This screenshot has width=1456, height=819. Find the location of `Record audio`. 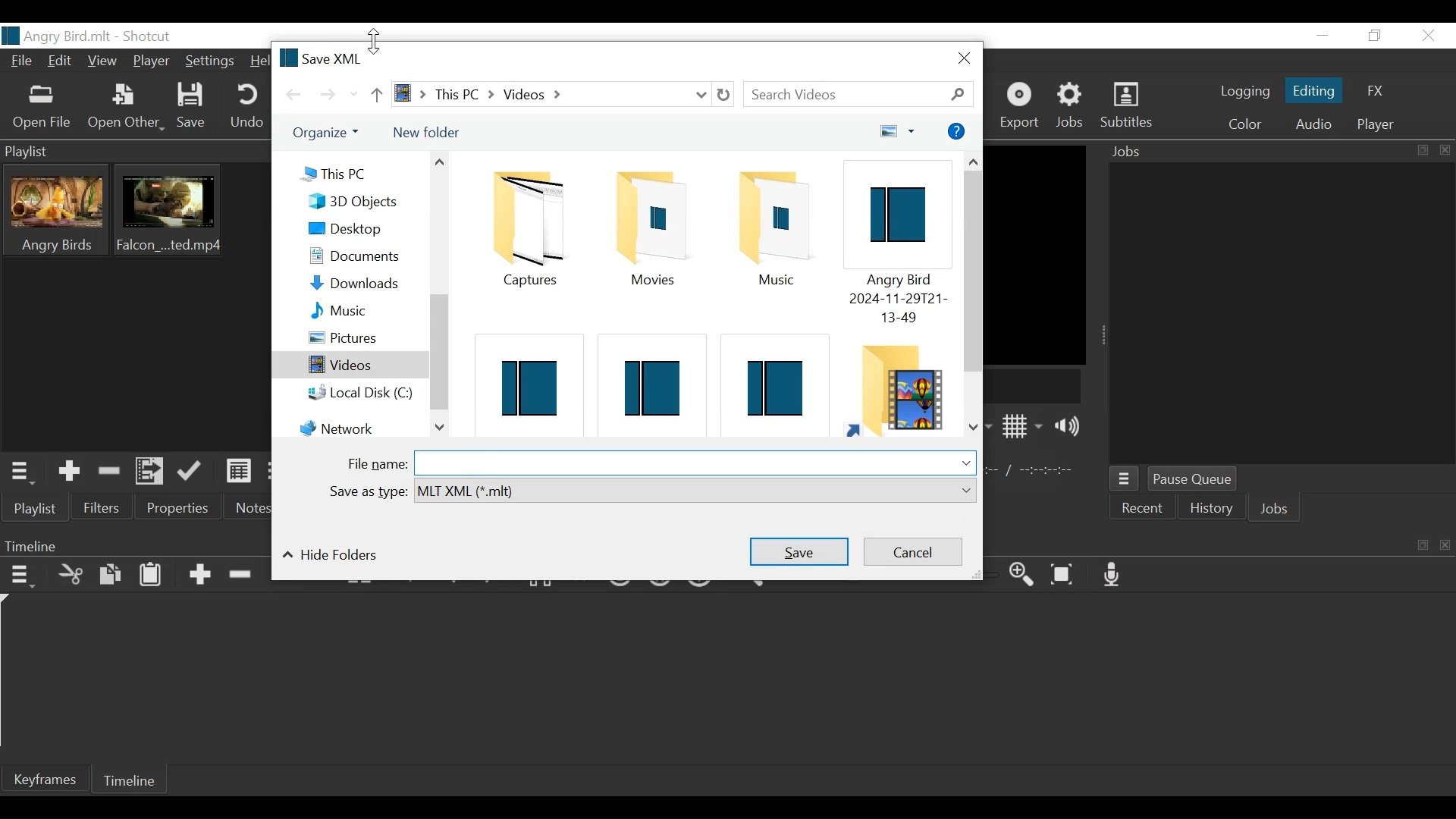

Record audio is located at coordinates (1112, 575).